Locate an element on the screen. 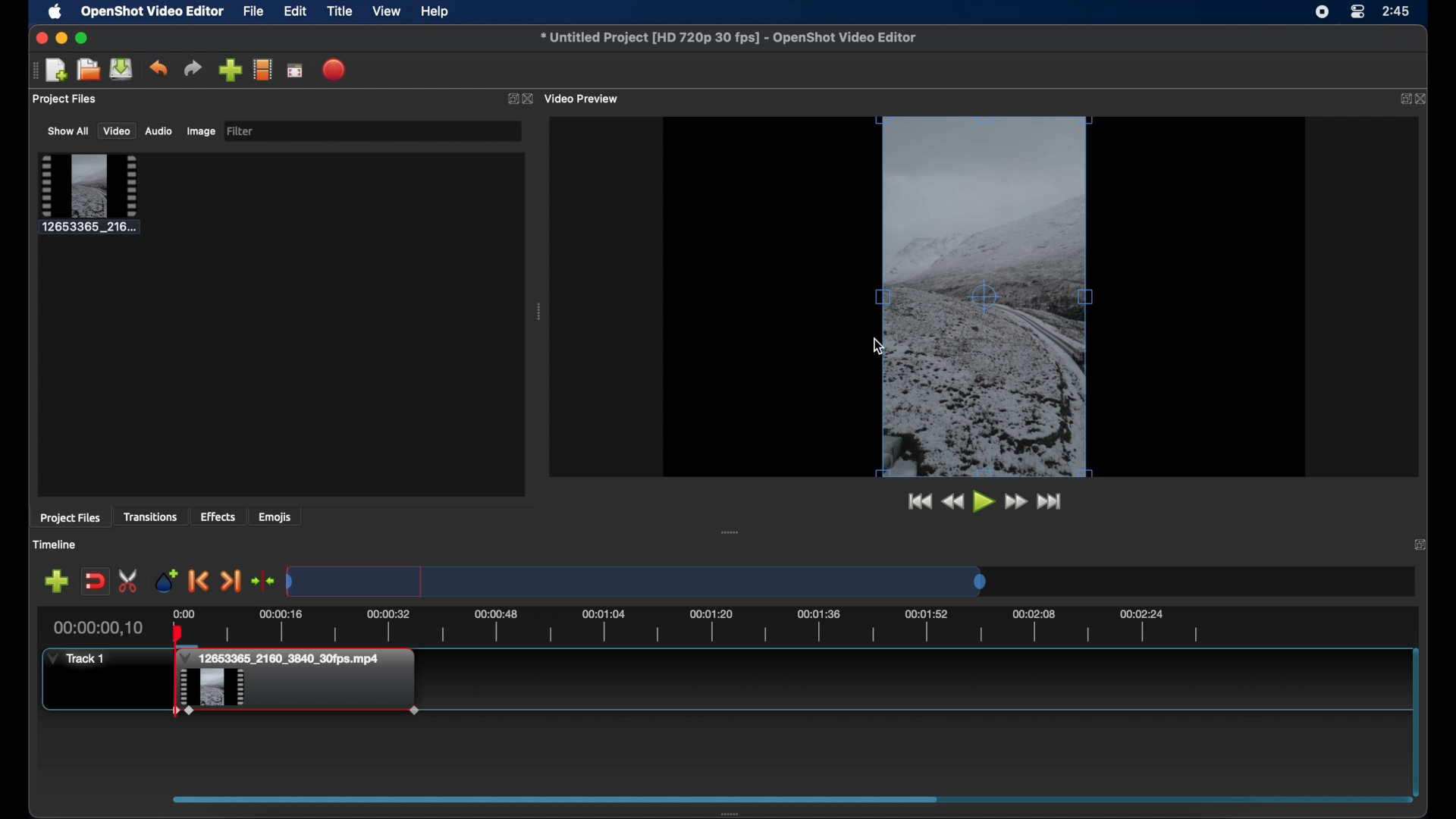 The image size is (1456, 819). close is located at coordinates (39, 39).